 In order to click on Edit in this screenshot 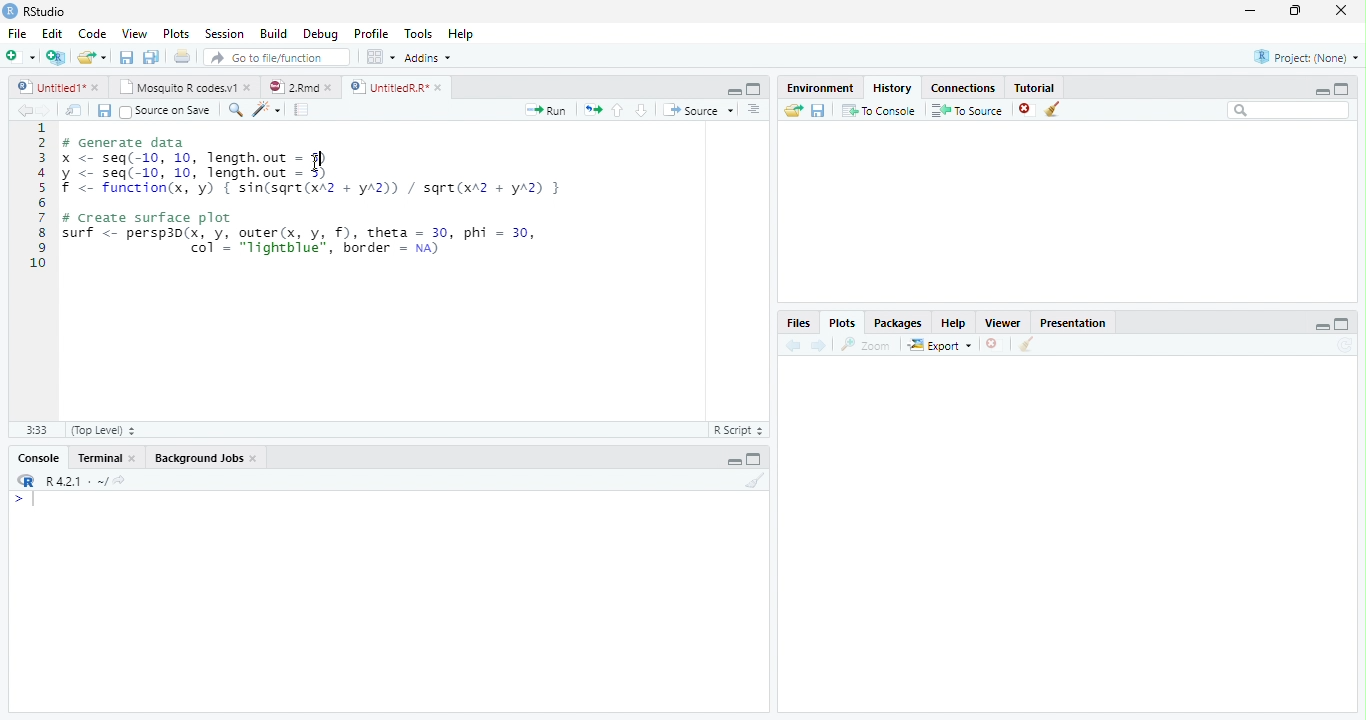, I will do `click(51, 33)`.